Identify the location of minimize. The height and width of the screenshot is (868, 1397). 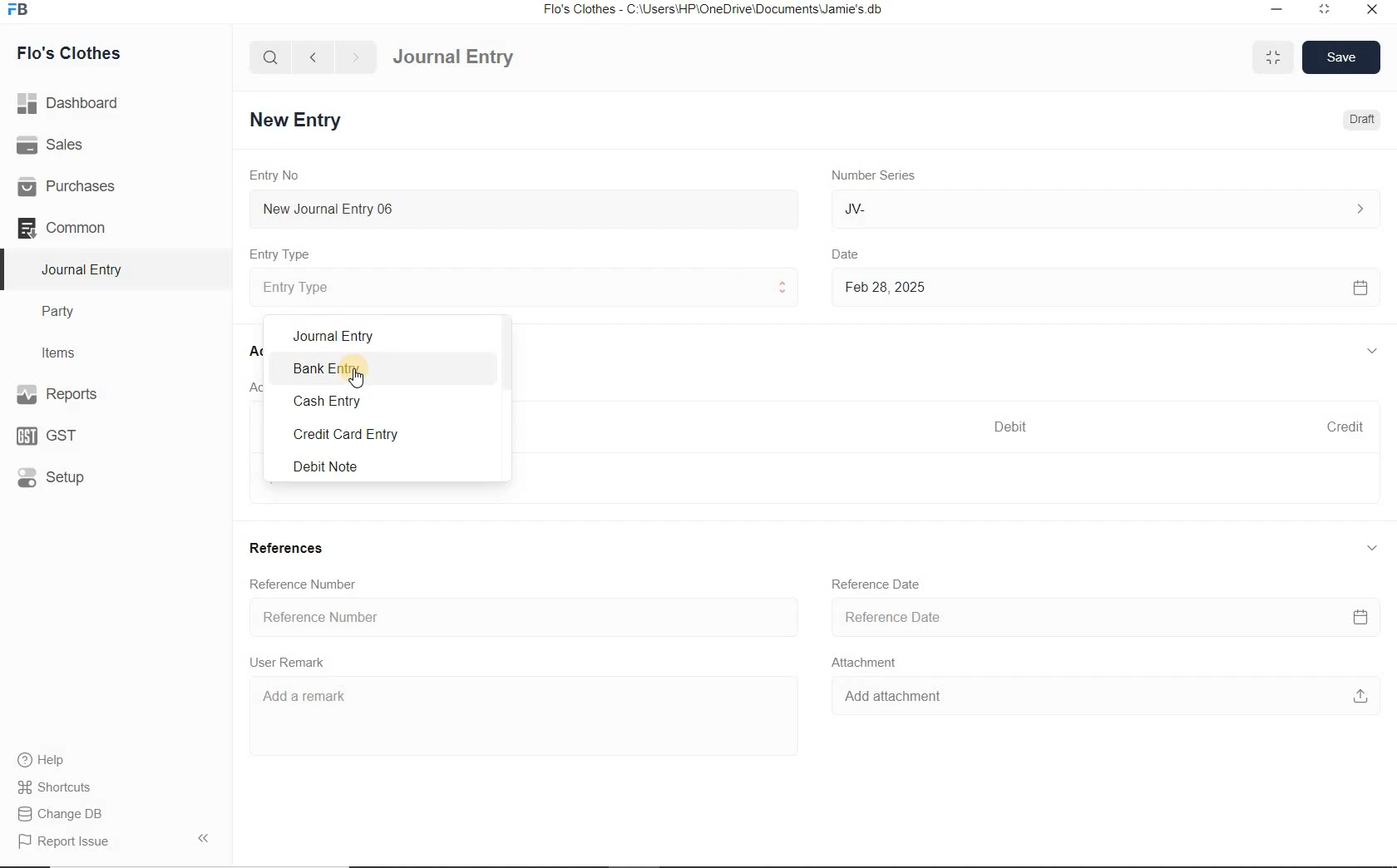
(1275, 8).